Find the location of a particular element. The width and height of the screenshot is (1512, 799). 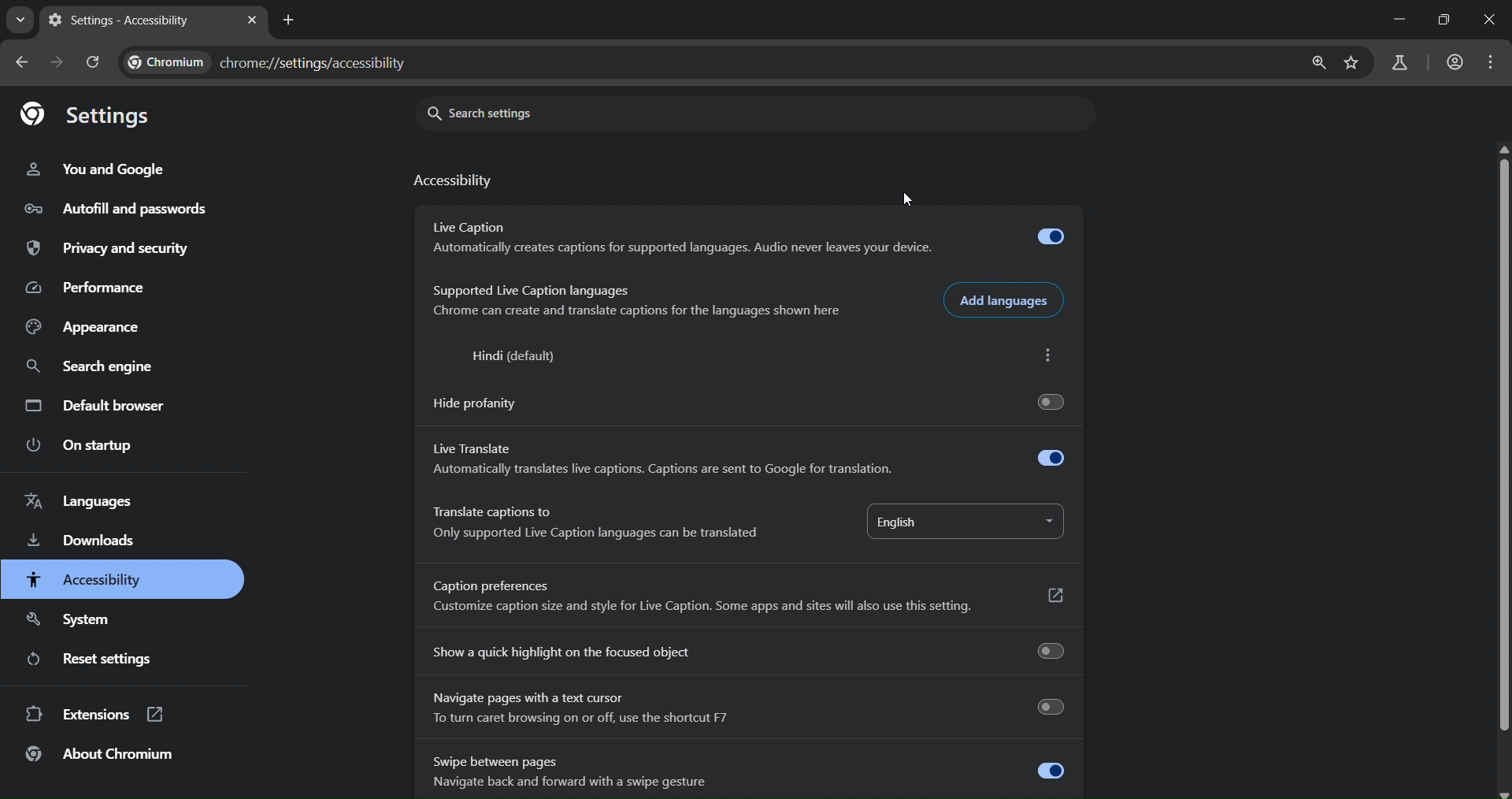

Navigate pages with a text cursor
To turn caret browsing on or off, use the shortcut F7 is located at coordinates (593, 708).